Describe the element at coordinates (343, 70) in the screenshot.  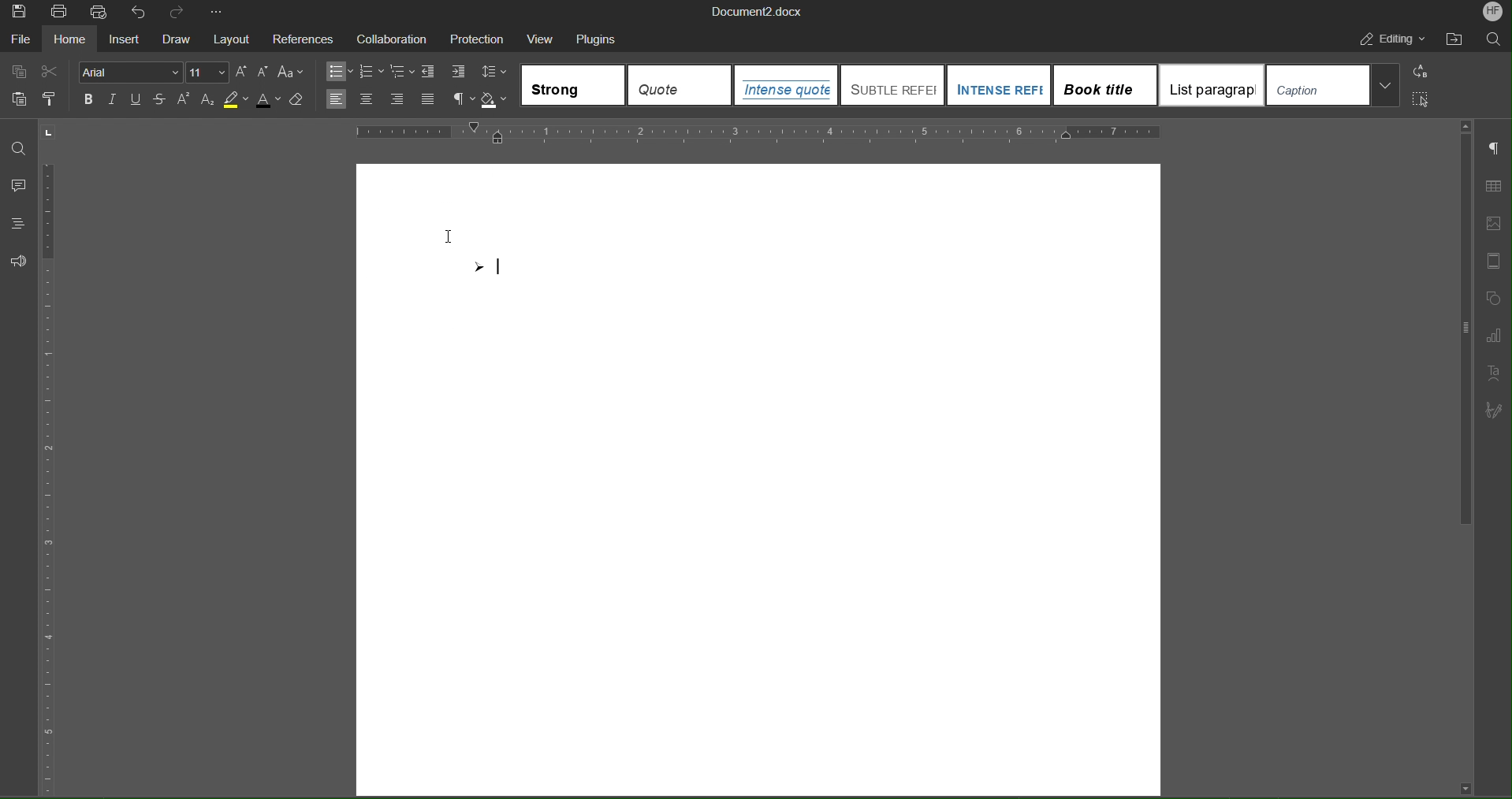
I see `Bullet list` at that location.